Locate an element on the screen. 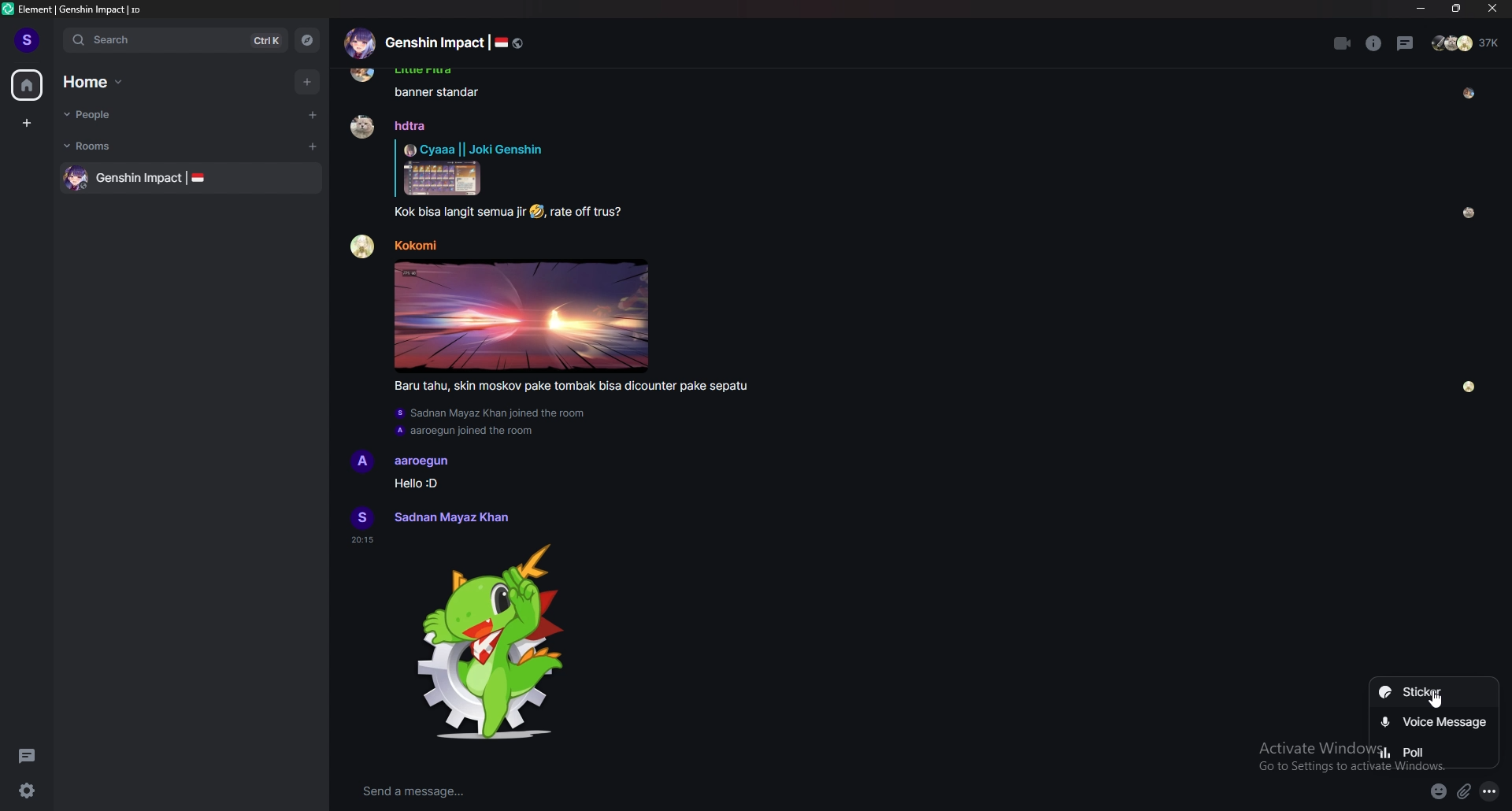 The width and height of the screenshot is (1512, 811). Indicates group is public is located at coordinates (518, 43).